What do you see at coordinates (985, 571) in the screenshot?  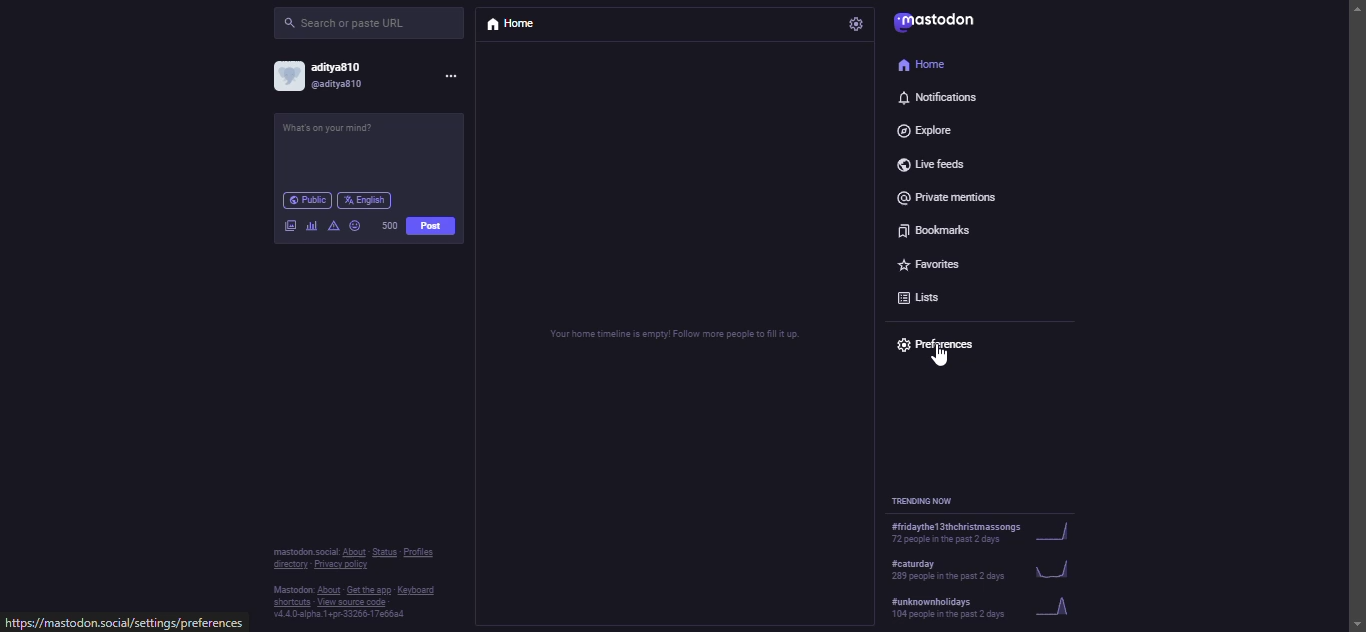 I see `trending` at bounding box center [985, 571].